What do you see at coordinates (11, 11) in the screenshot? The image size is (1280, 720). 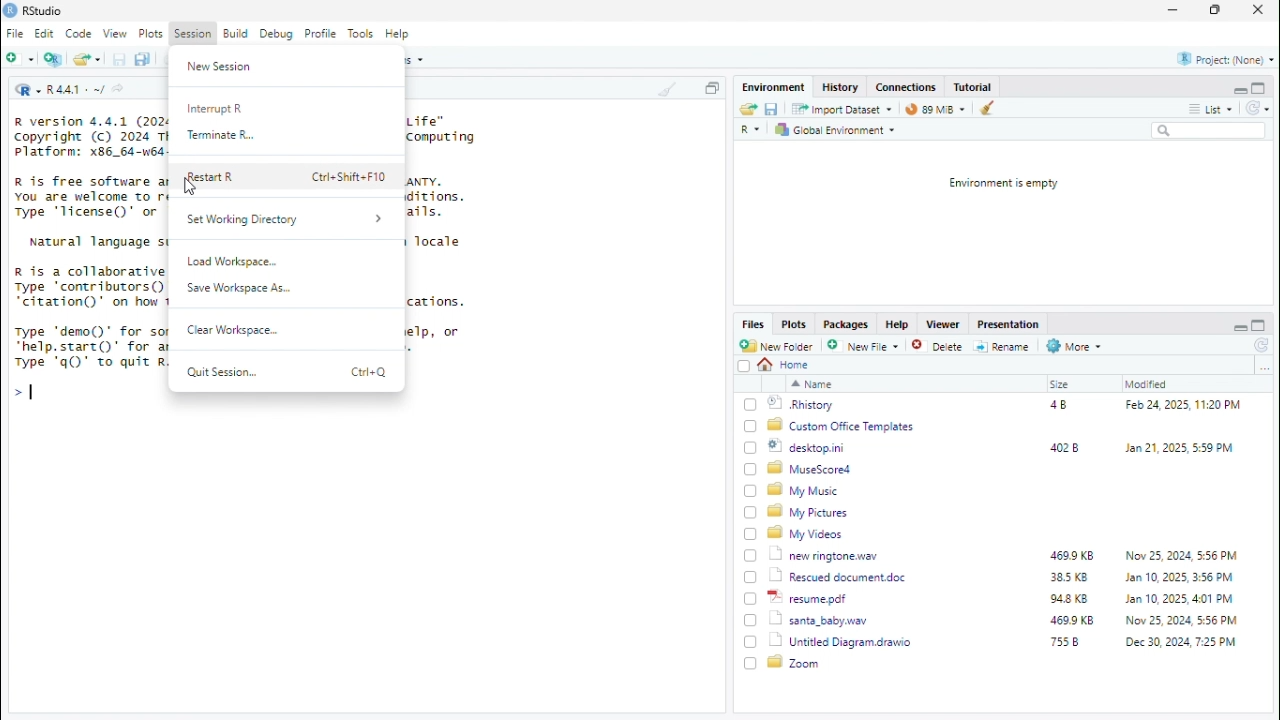 I see `logo` at bounding box center [11, 11].